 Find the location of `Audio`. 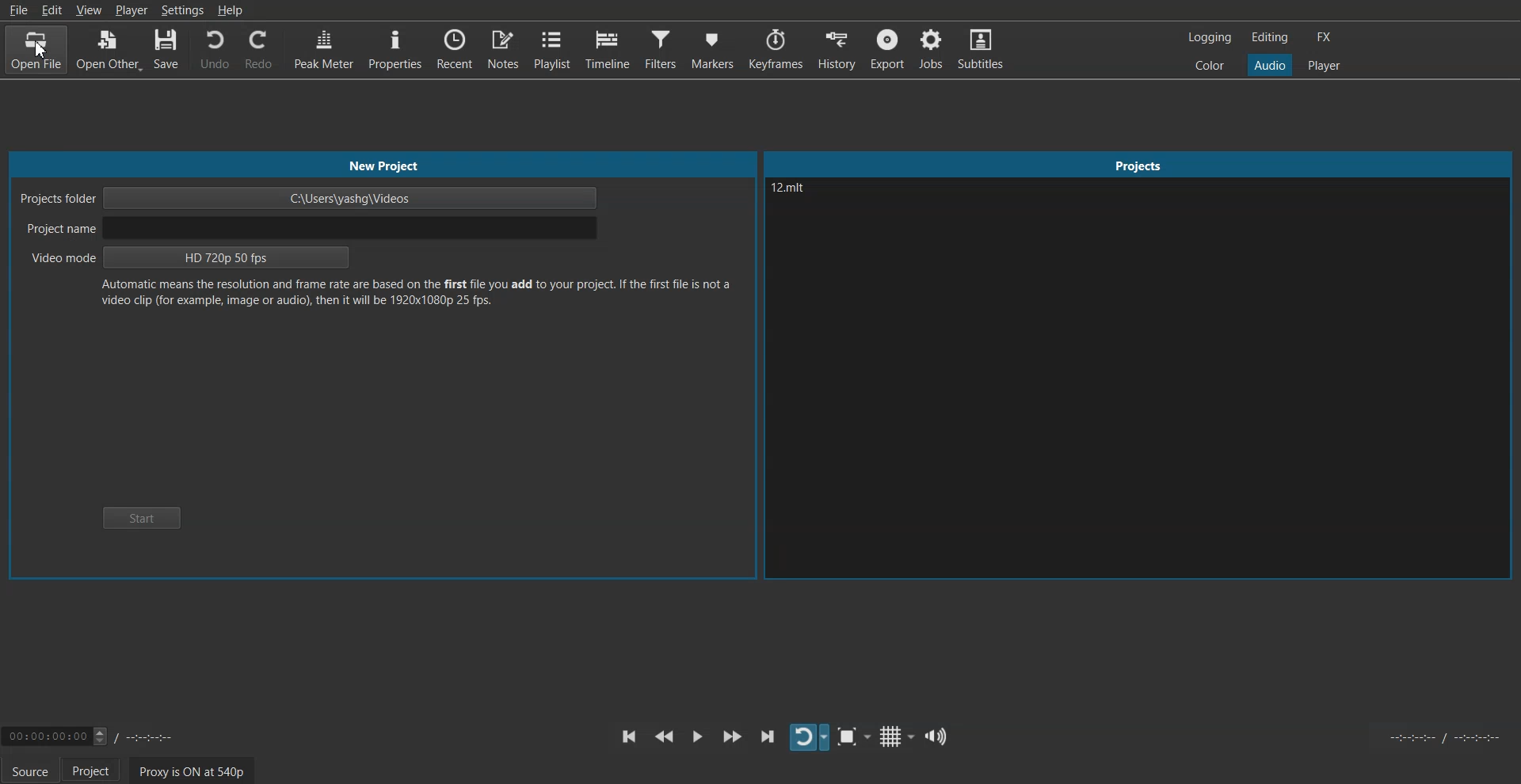

Audio is located at coordinates (1270, 66).